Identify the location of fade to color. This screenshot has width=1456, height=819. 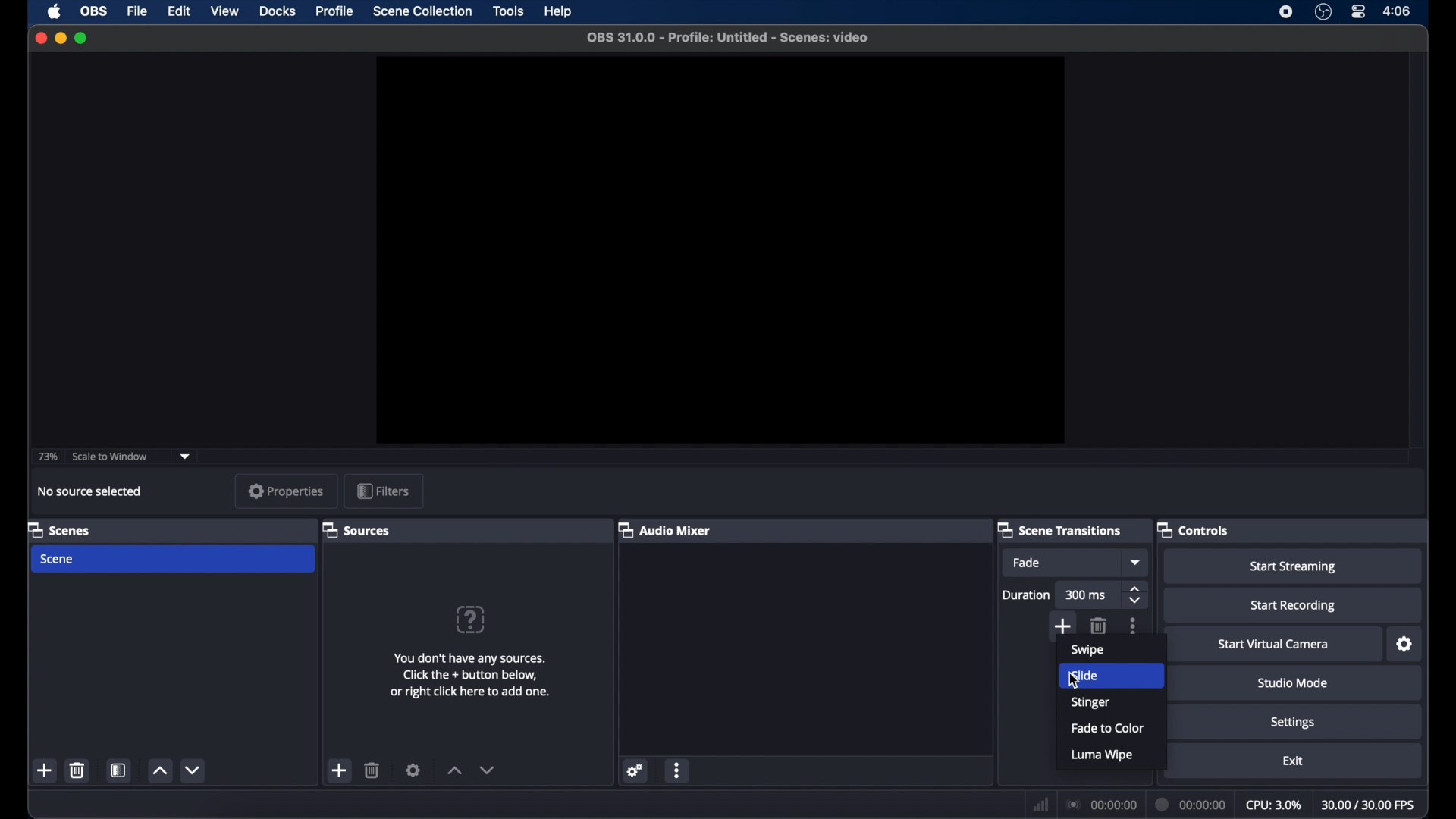
(1109, 728).